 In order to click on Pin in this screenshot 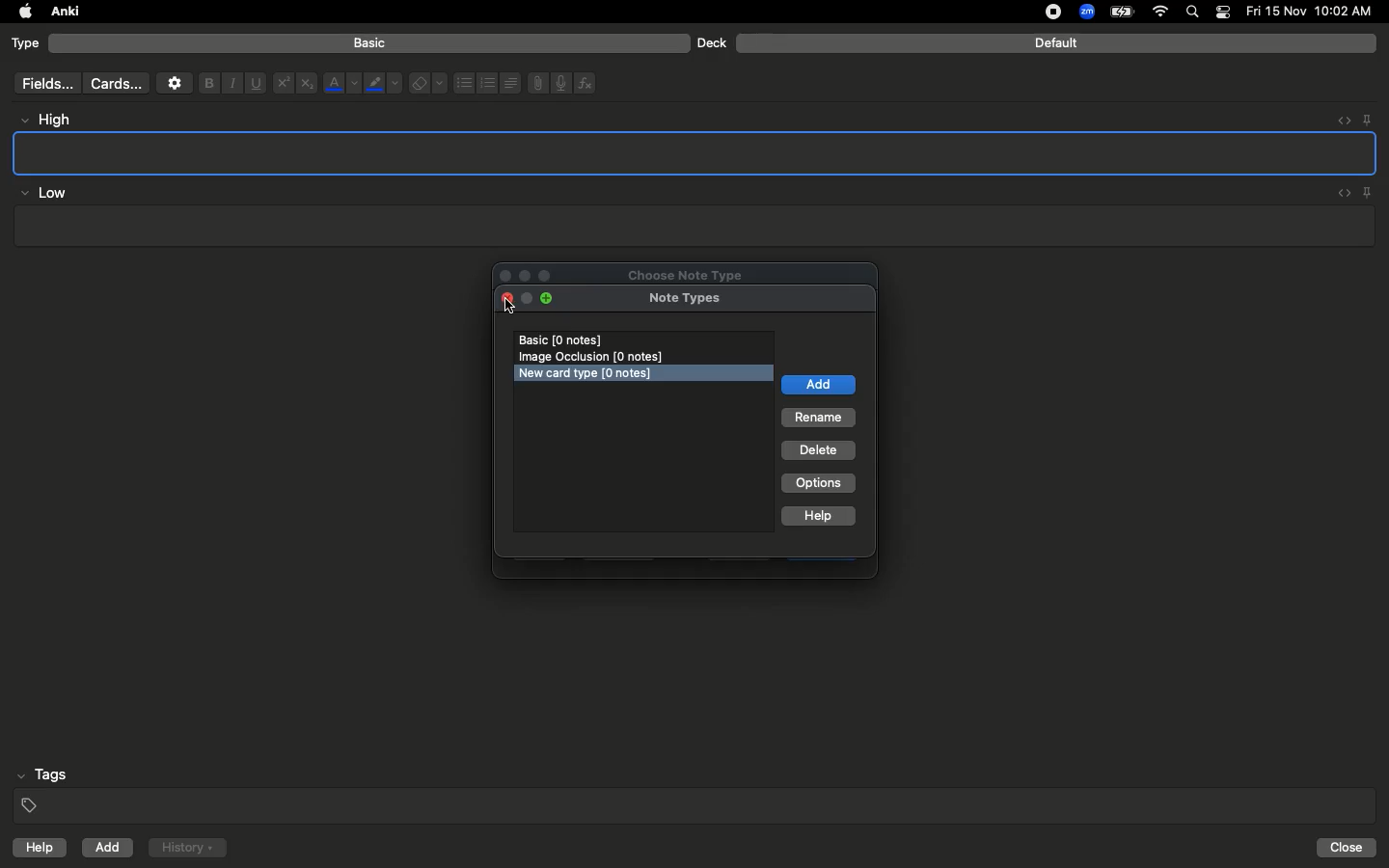, I will do `click(1369, 192)`.